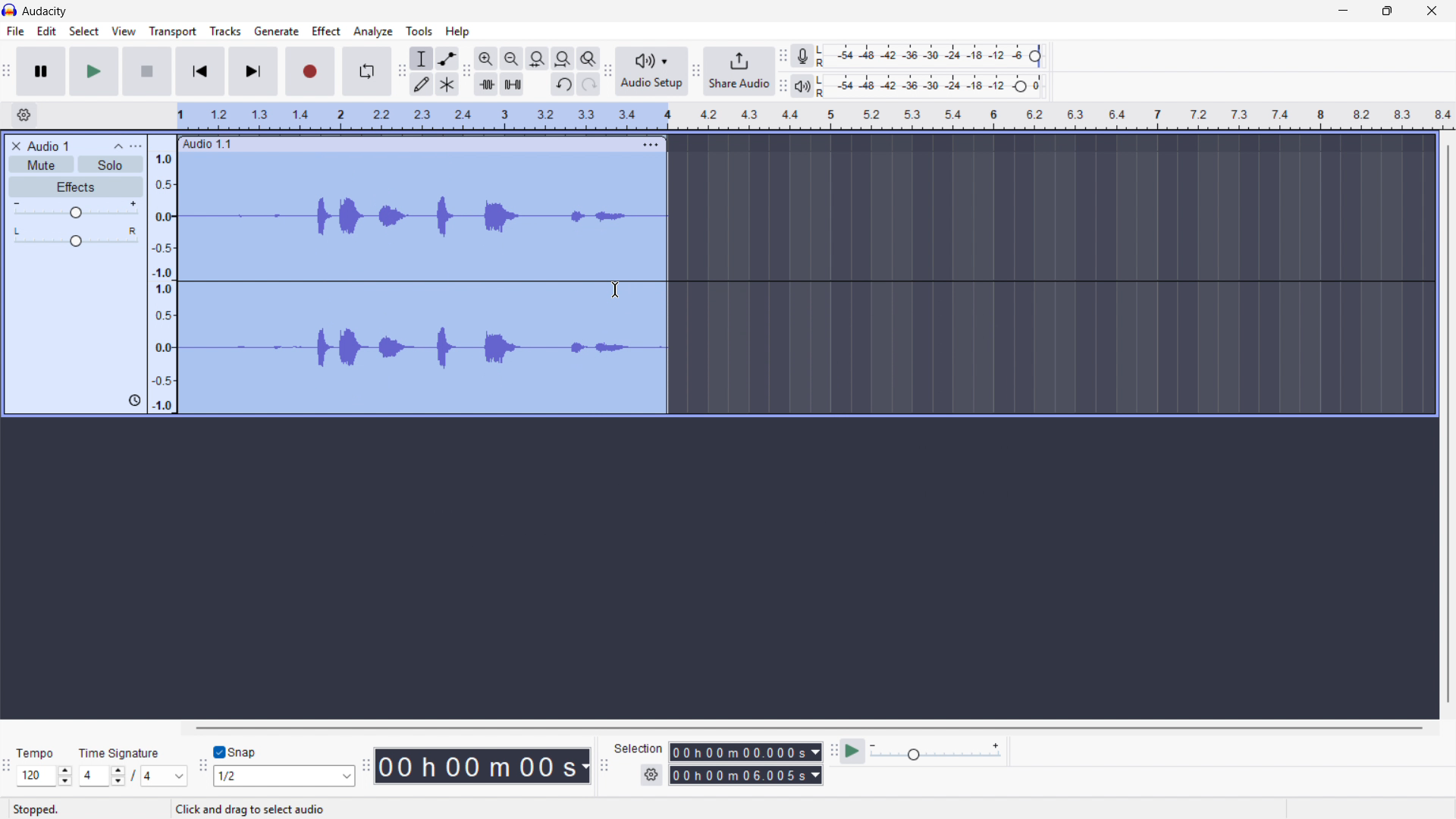 This screenshot has width=1456, height=819. Describe the element at coordinates (42, 165) in the screenshot. I see `Mute` at that location.